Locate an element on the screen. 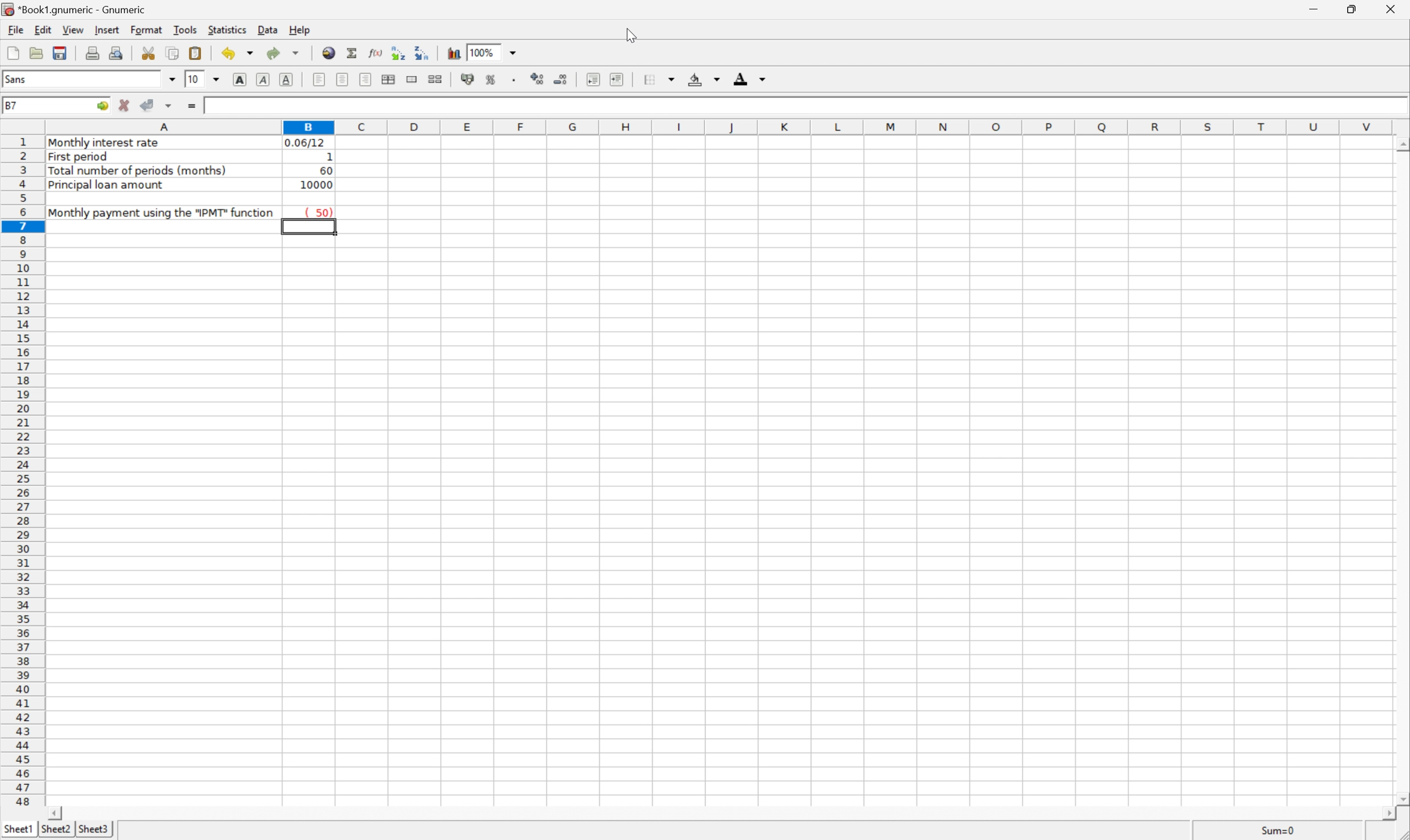 The width and height of the screenshot is (1410, 840). Underline is located at coordinates (287, 78).